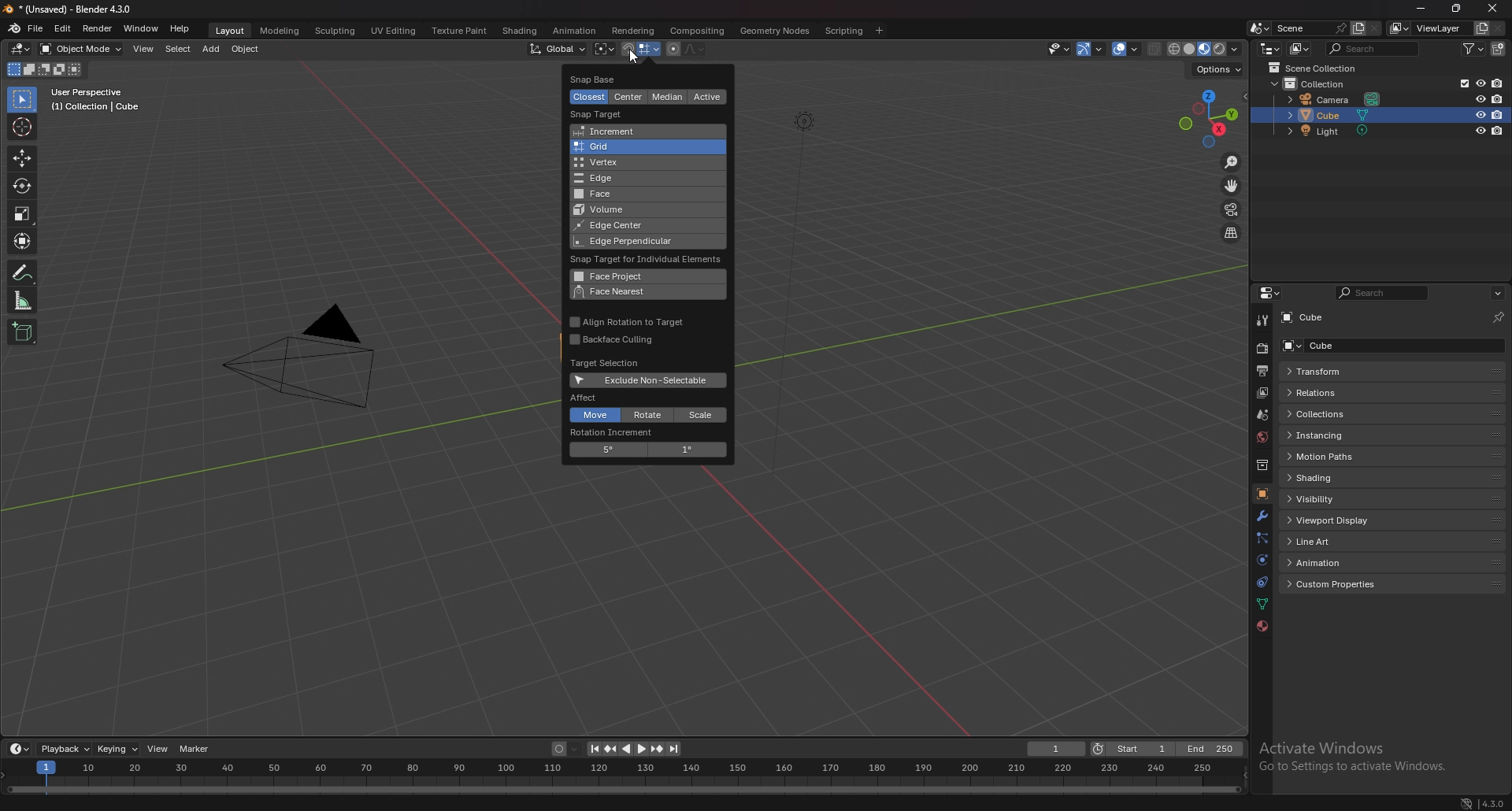 The width and height of the screenshot is (1512, 811). I want to click on collection, so click(1262, 465).